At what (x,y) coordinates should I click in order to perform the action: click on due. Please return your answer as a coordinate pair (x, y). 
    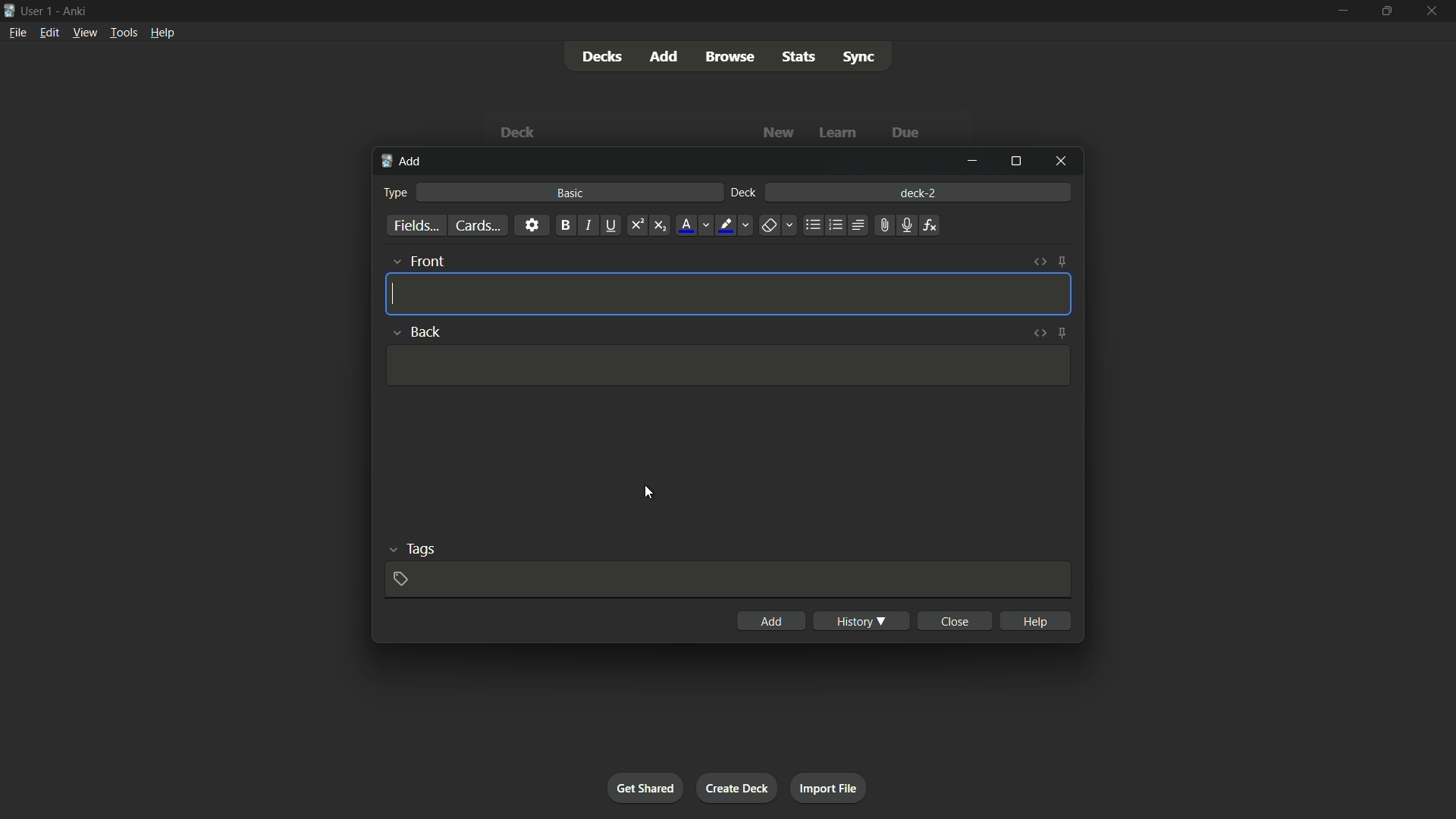
    Looking at the image, I should click on (903, 133).